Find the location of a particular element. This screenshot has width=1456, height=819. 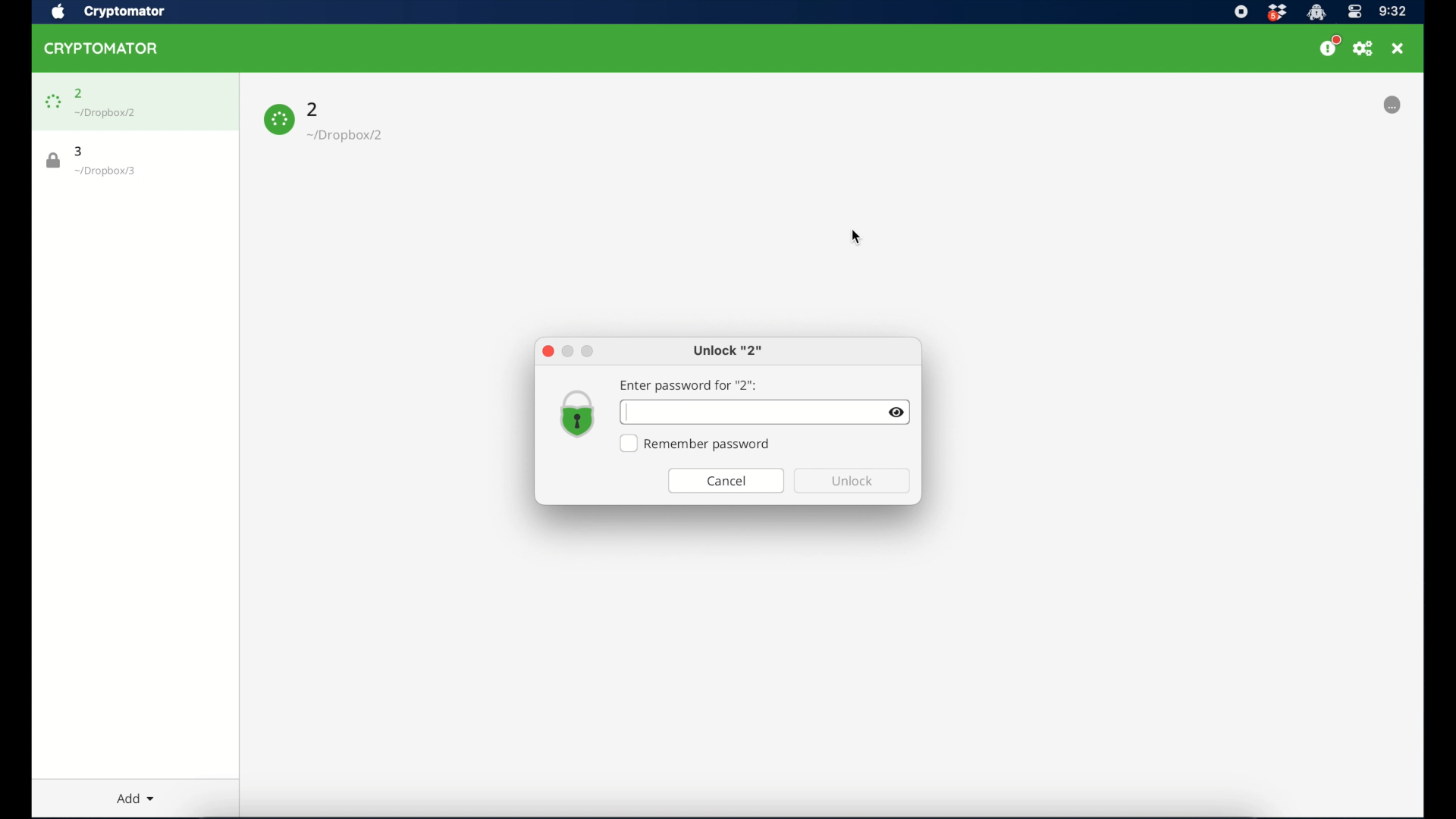

preferences is located at coordinates (1364, 49).